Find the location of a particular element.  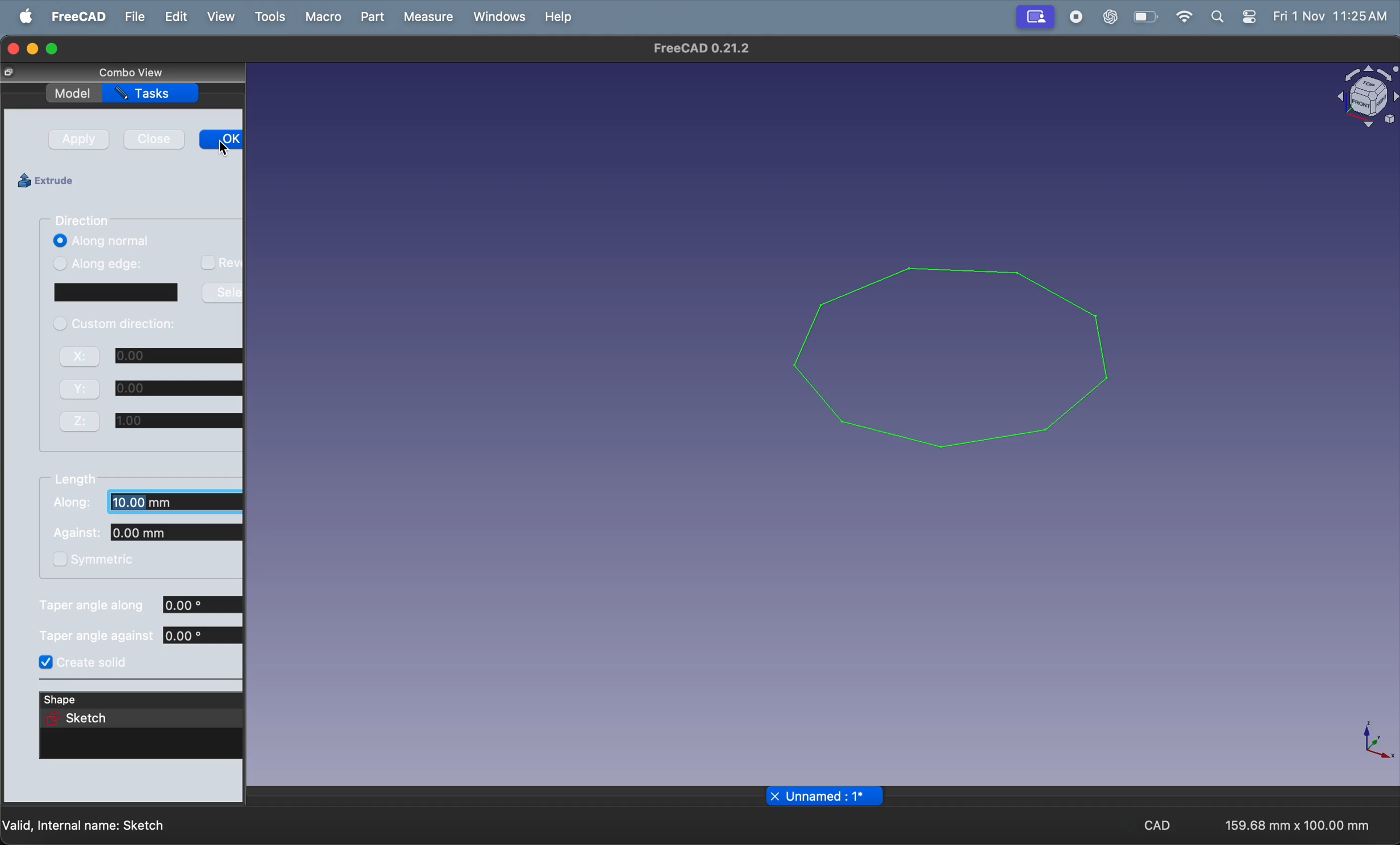

measure is located at coordinates (427, 17).